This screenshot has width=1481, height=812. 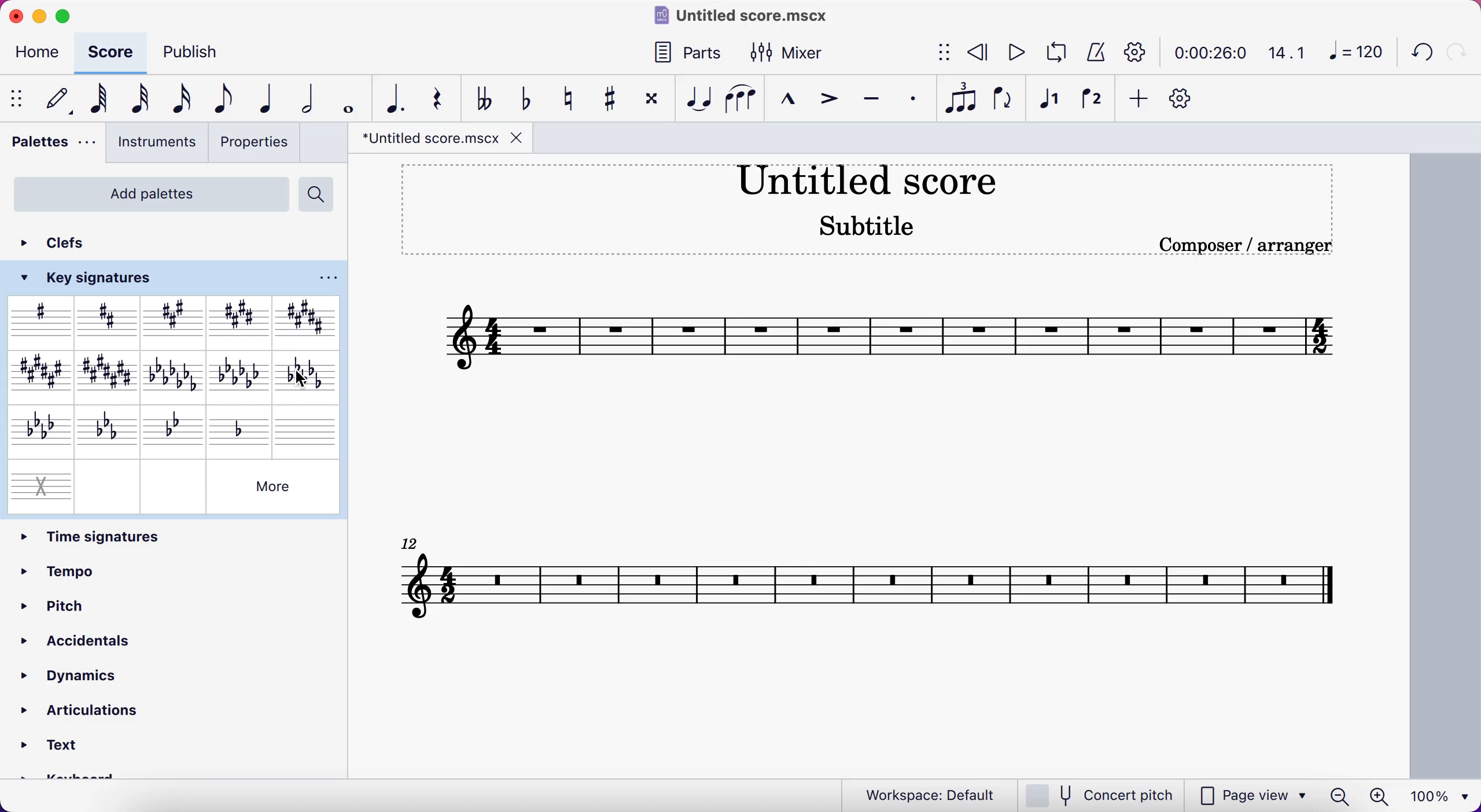 I want to click on A major, so click(x=174, y=321).